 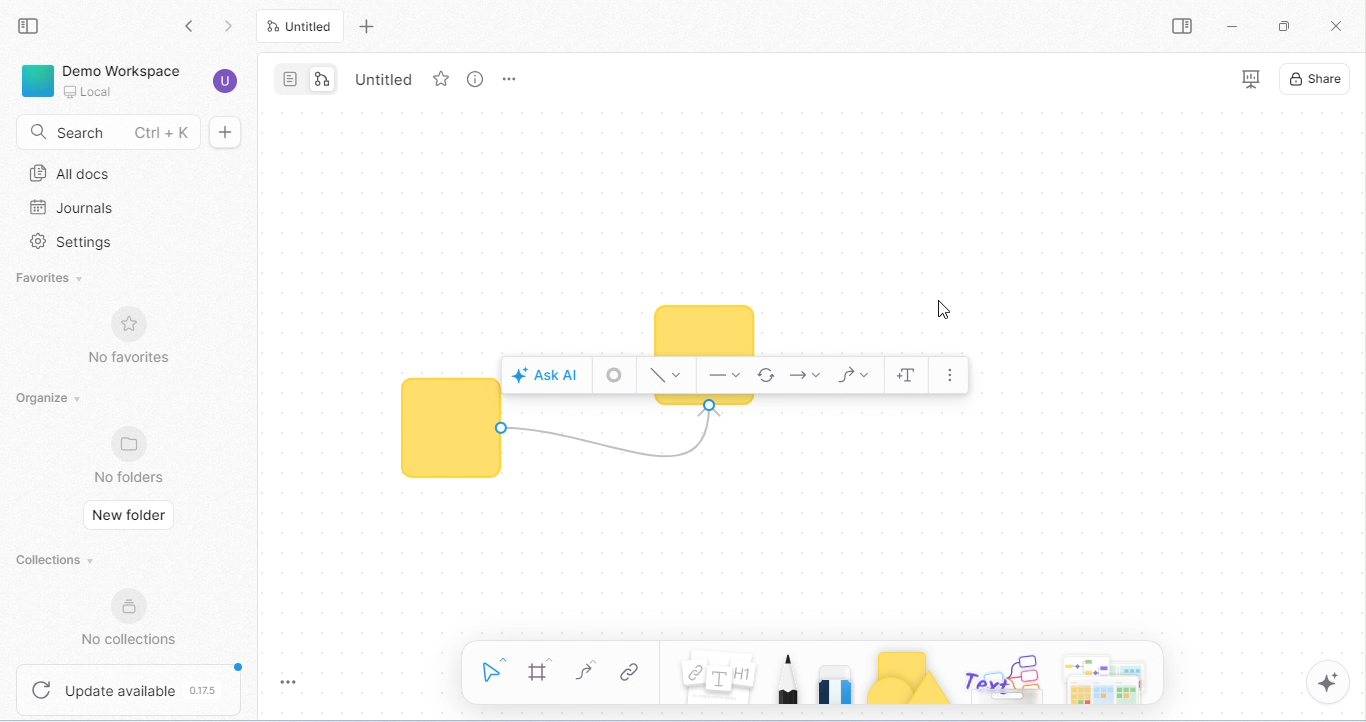 I want to click on new doc, so click(x=225, y=132).